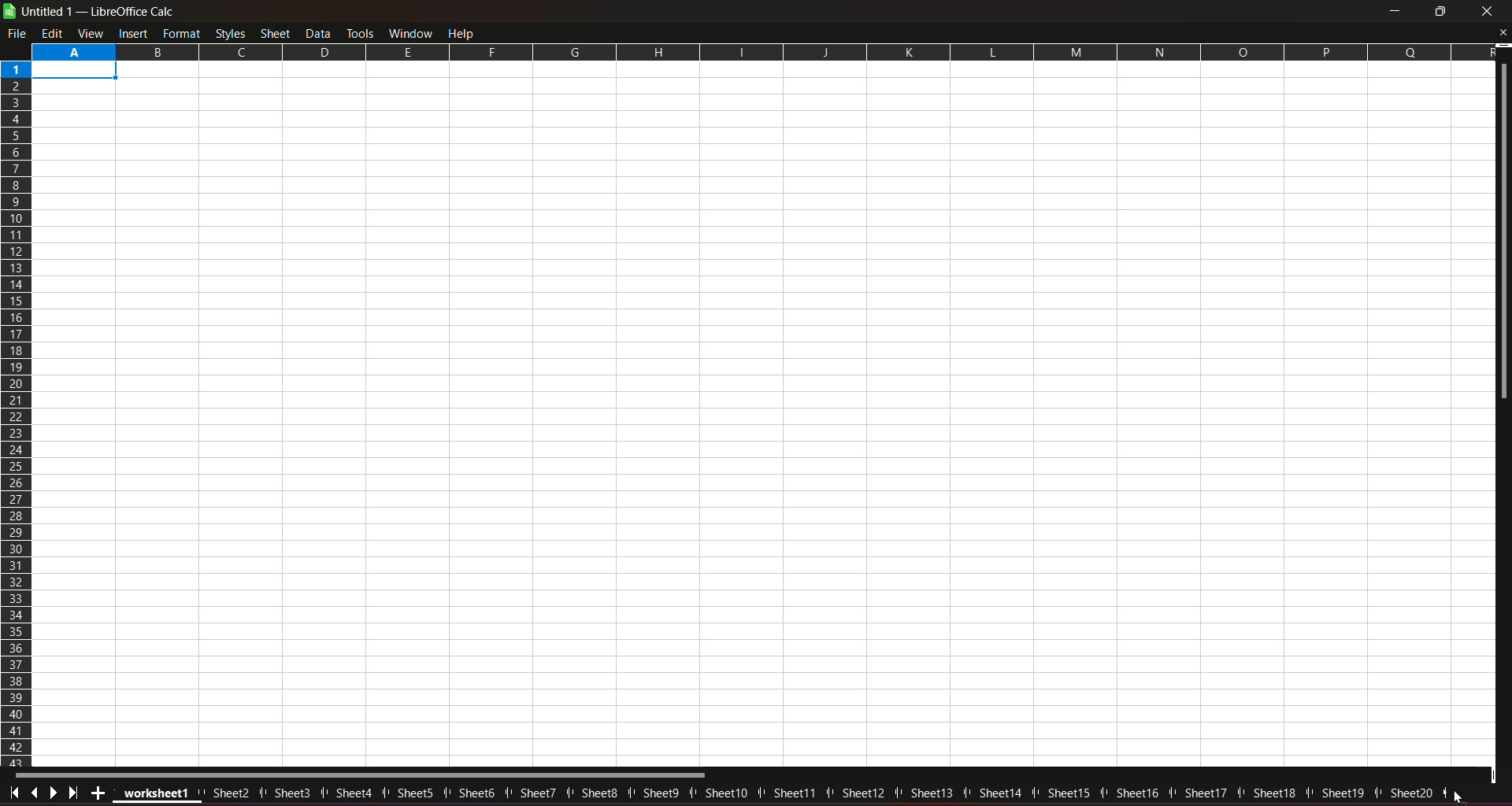  I want to click on file, so click(19, 33).